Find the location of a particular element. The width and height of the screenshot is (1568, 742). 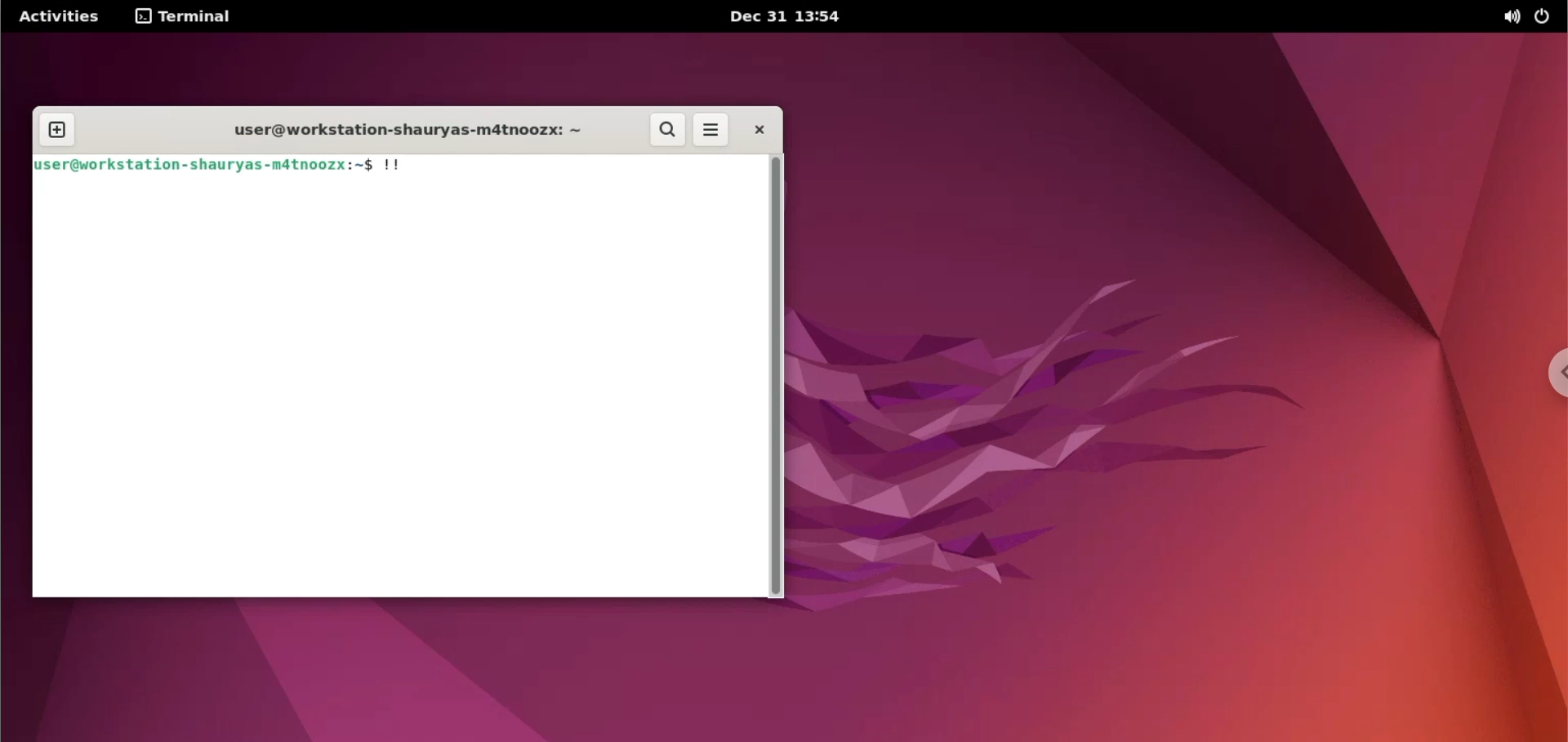

Activities is located at coordinates (58, 15).